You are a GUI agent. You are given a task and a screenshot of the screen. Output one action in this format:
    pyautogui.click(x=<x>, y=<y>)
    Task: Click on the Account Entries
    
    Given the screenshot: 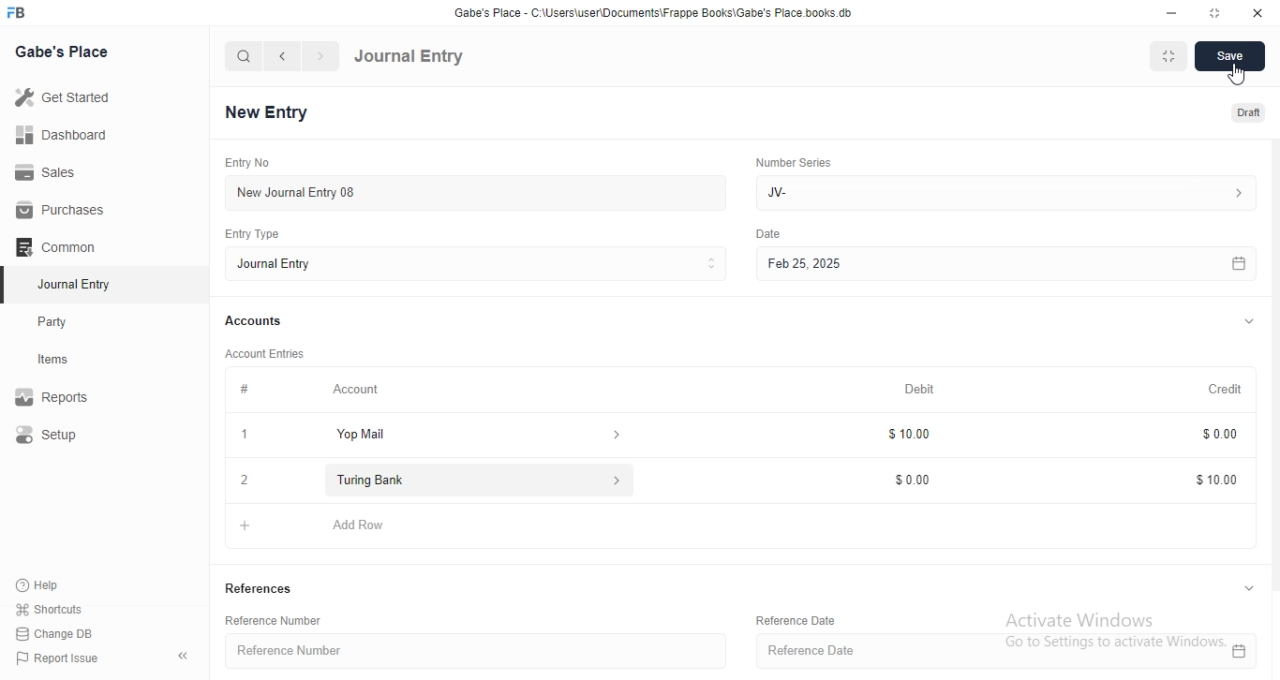 What is the action you would take?
    pyautogui.click(x=267, y=354)
    